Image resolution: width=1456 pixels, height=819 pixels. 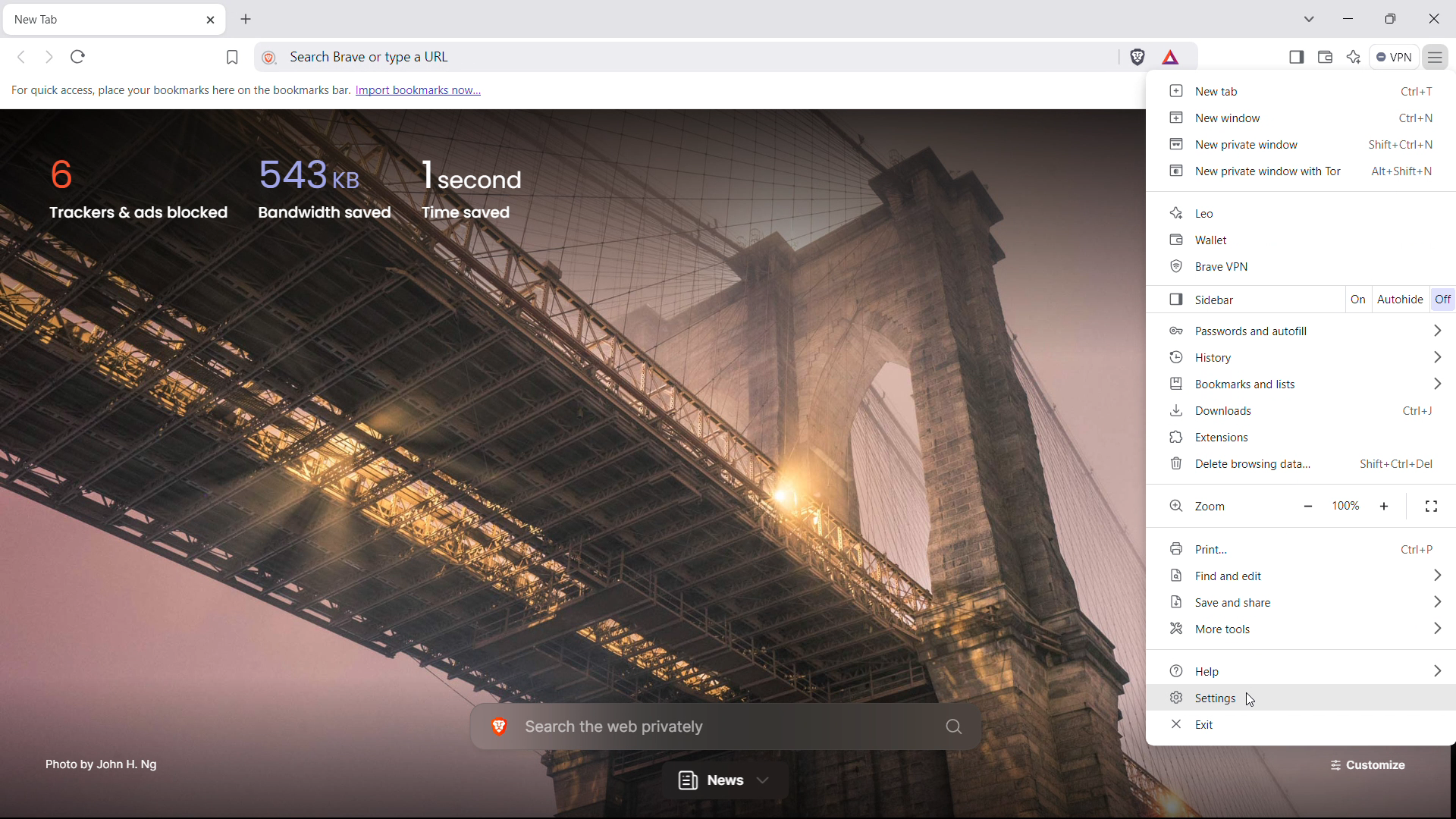 What do you see at coordinates (309, 174) in the screenshot?
I see `543kb` at bounding box center [309, 174].